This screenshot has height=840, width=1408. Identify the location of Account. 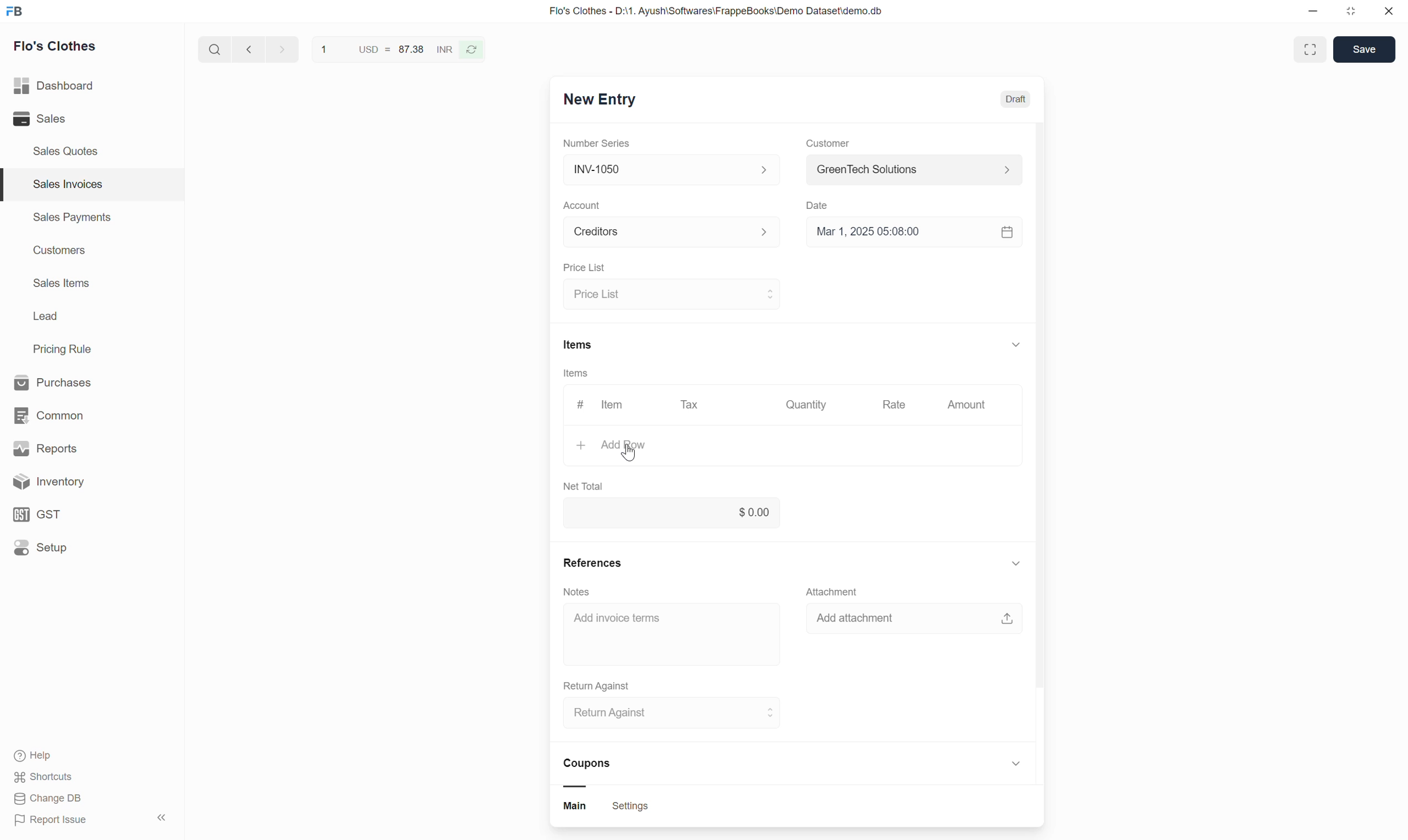
(584, 205).